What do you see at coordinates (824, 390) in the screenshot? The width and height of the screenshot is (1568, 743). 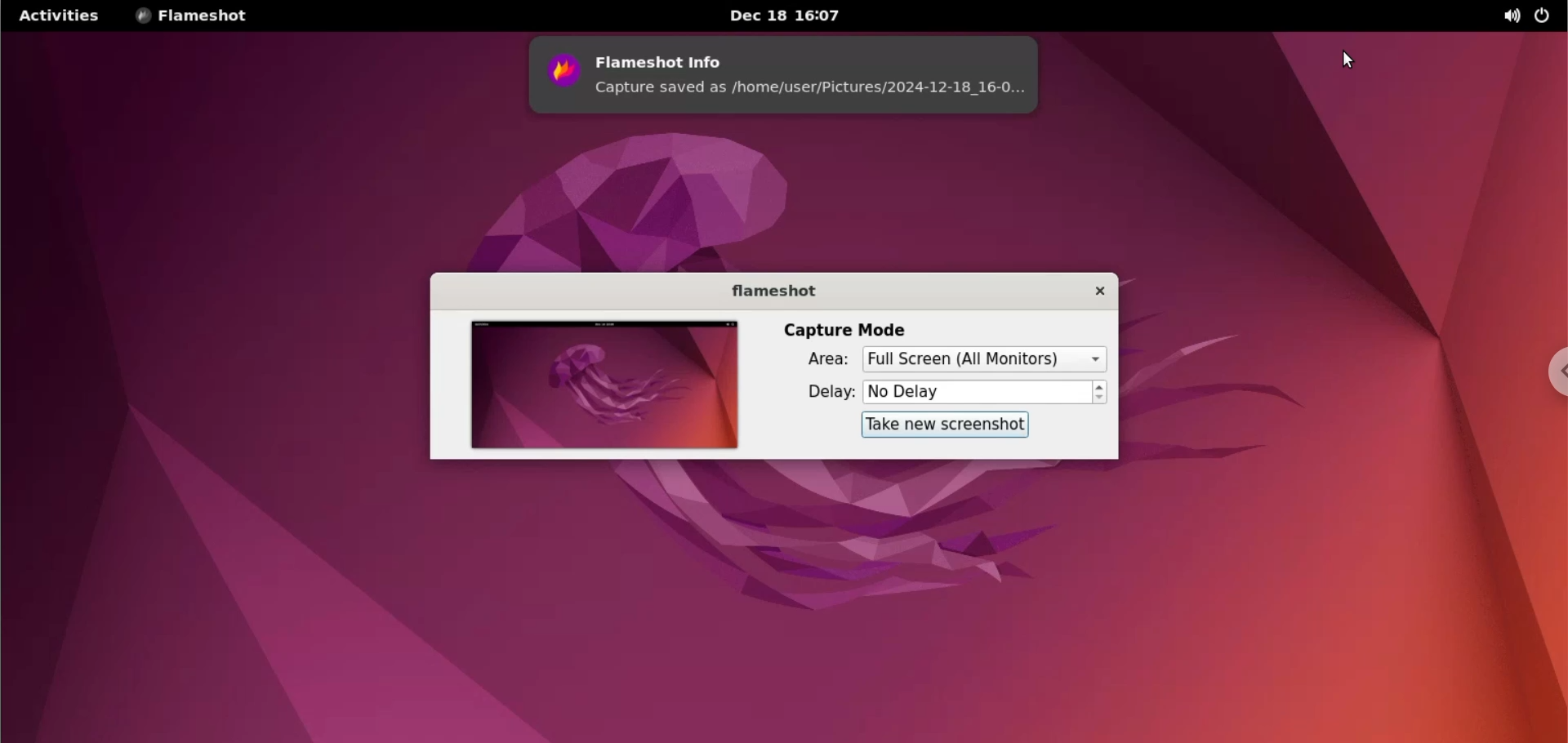 I see `delay label` at bounding box center [824, 390].